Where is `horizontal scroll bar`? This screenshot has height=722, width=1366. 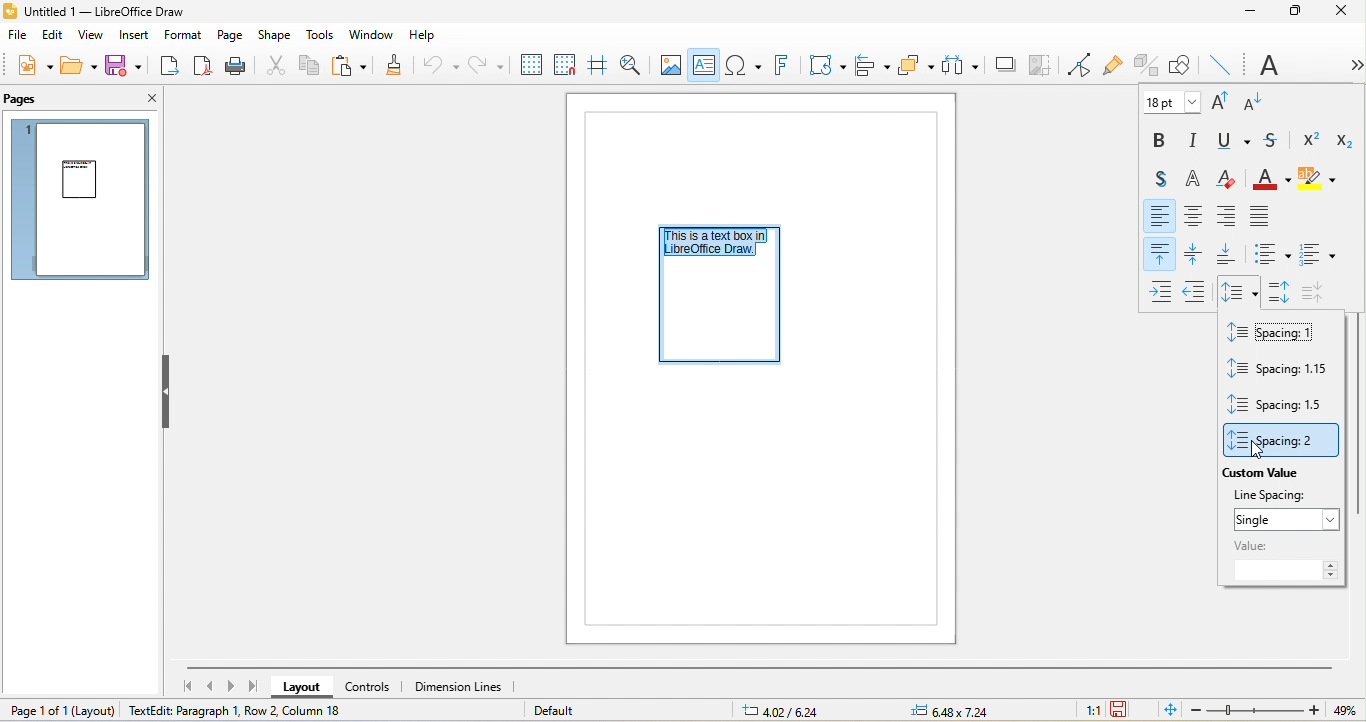 horizontal scroll bar is located at coordinates (756, 669).